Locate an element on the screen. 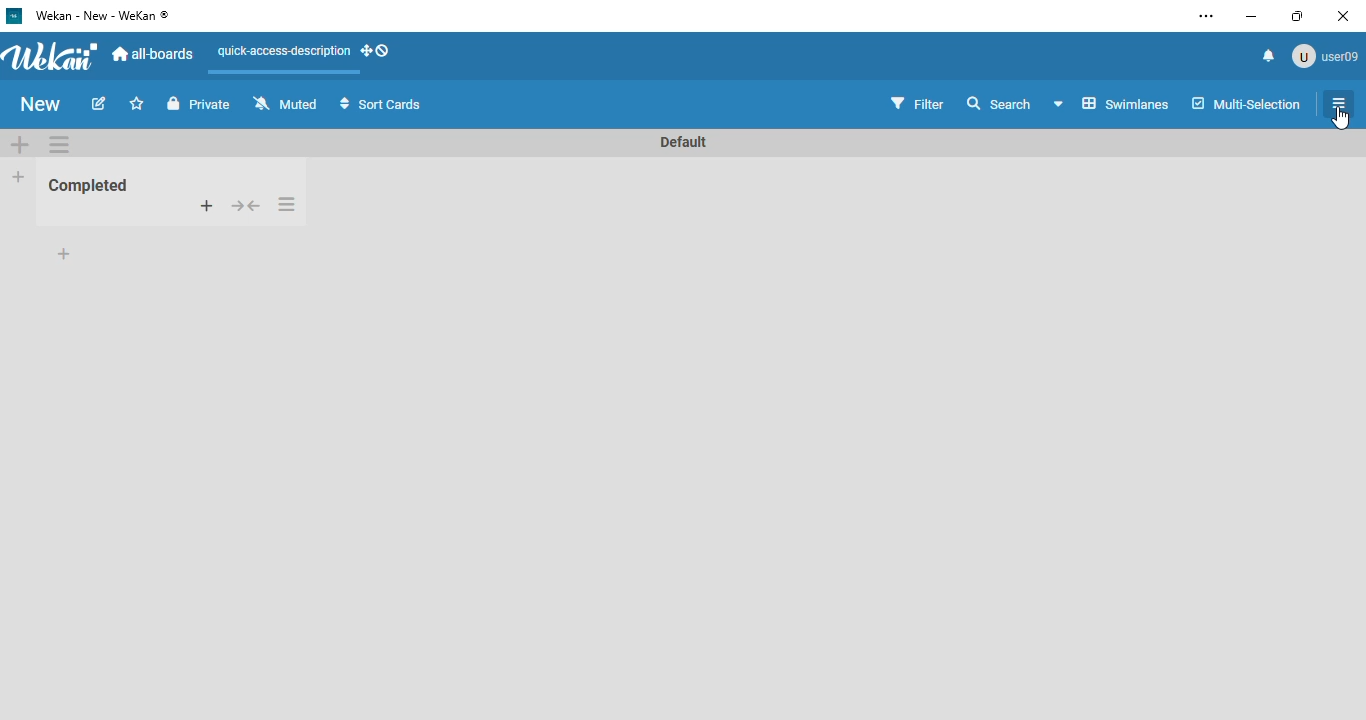 Image resolution: width=1366 pixels, height=720 pixels. Completed is located at coordinates (90, 184).